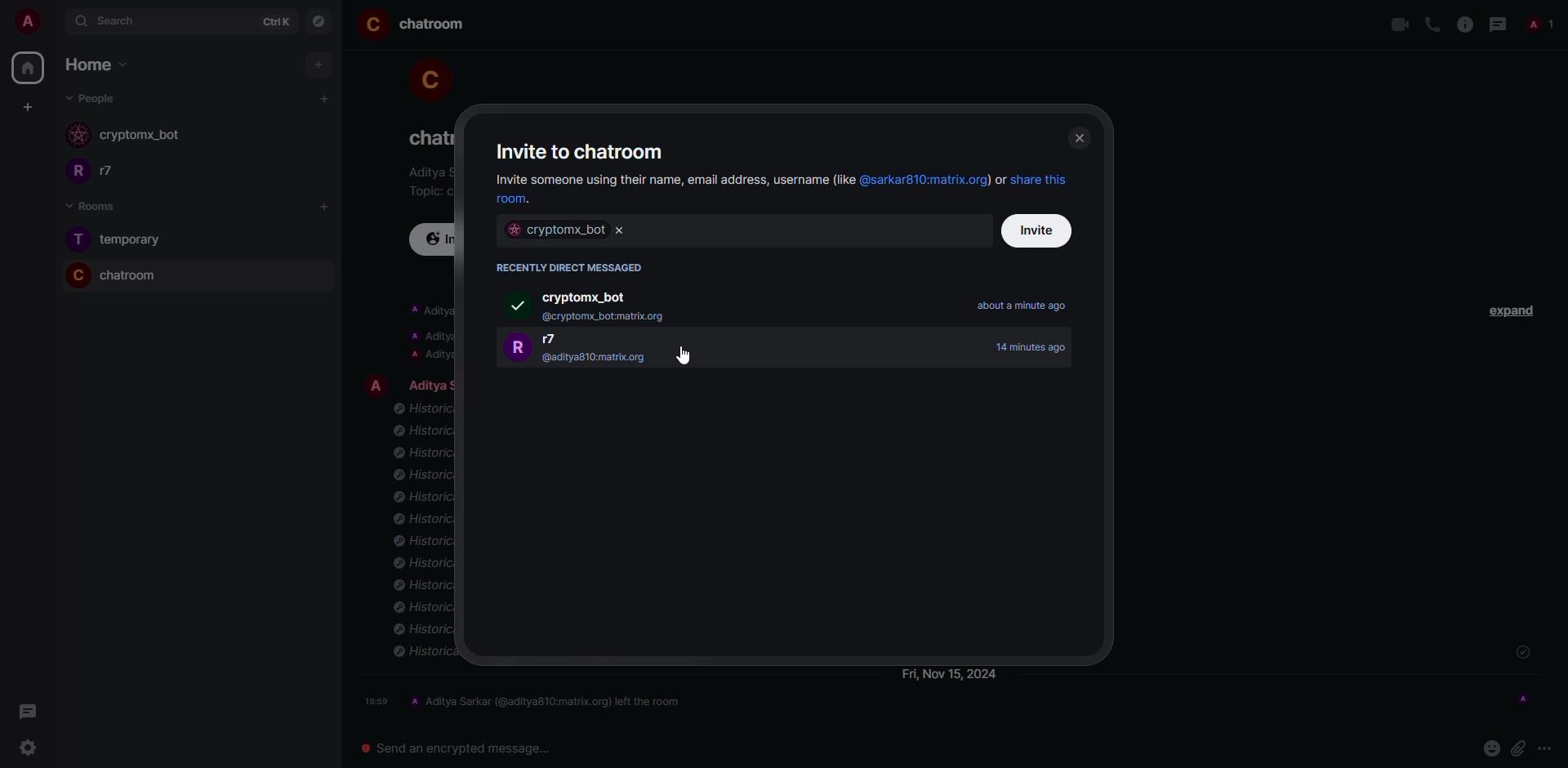  Describe the element at coordinates (1036, 346) in the screenshot. I see `time` at that location.